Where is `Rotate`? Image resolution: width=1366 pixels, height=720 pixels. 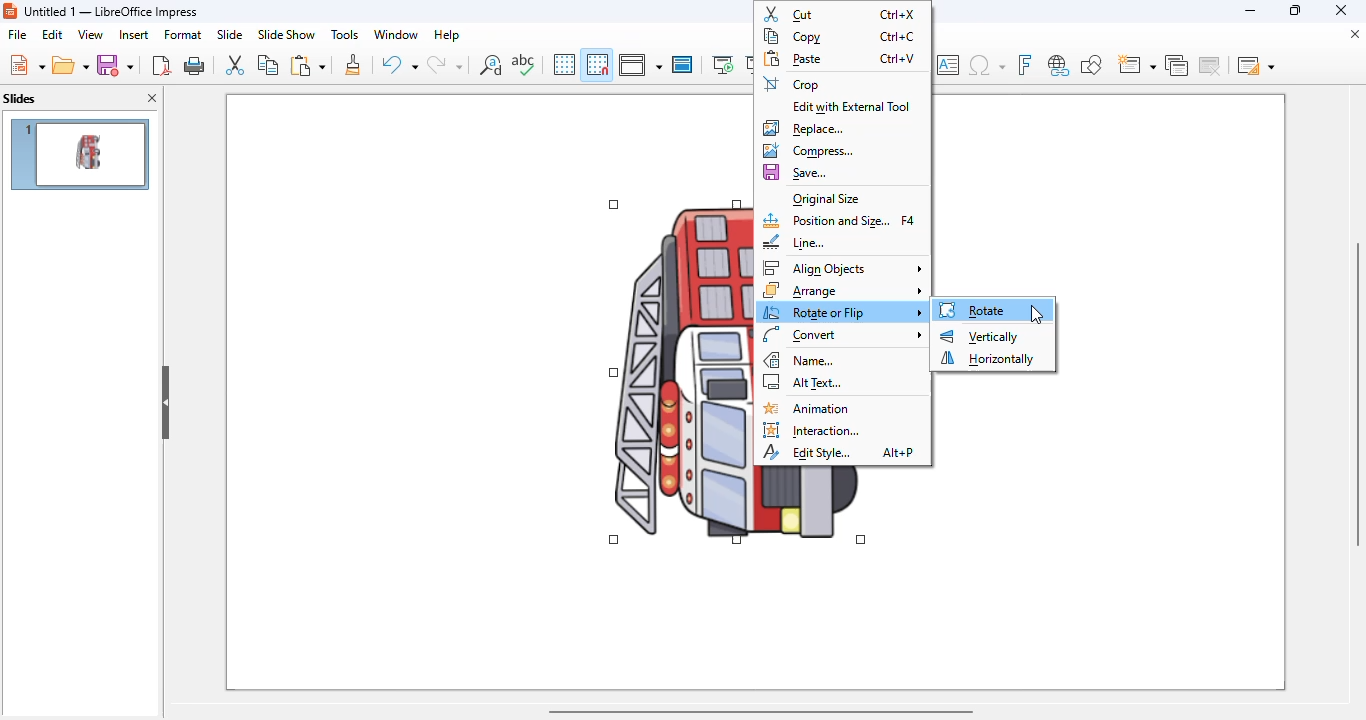 Rotate is located at coordinates (993, 311).